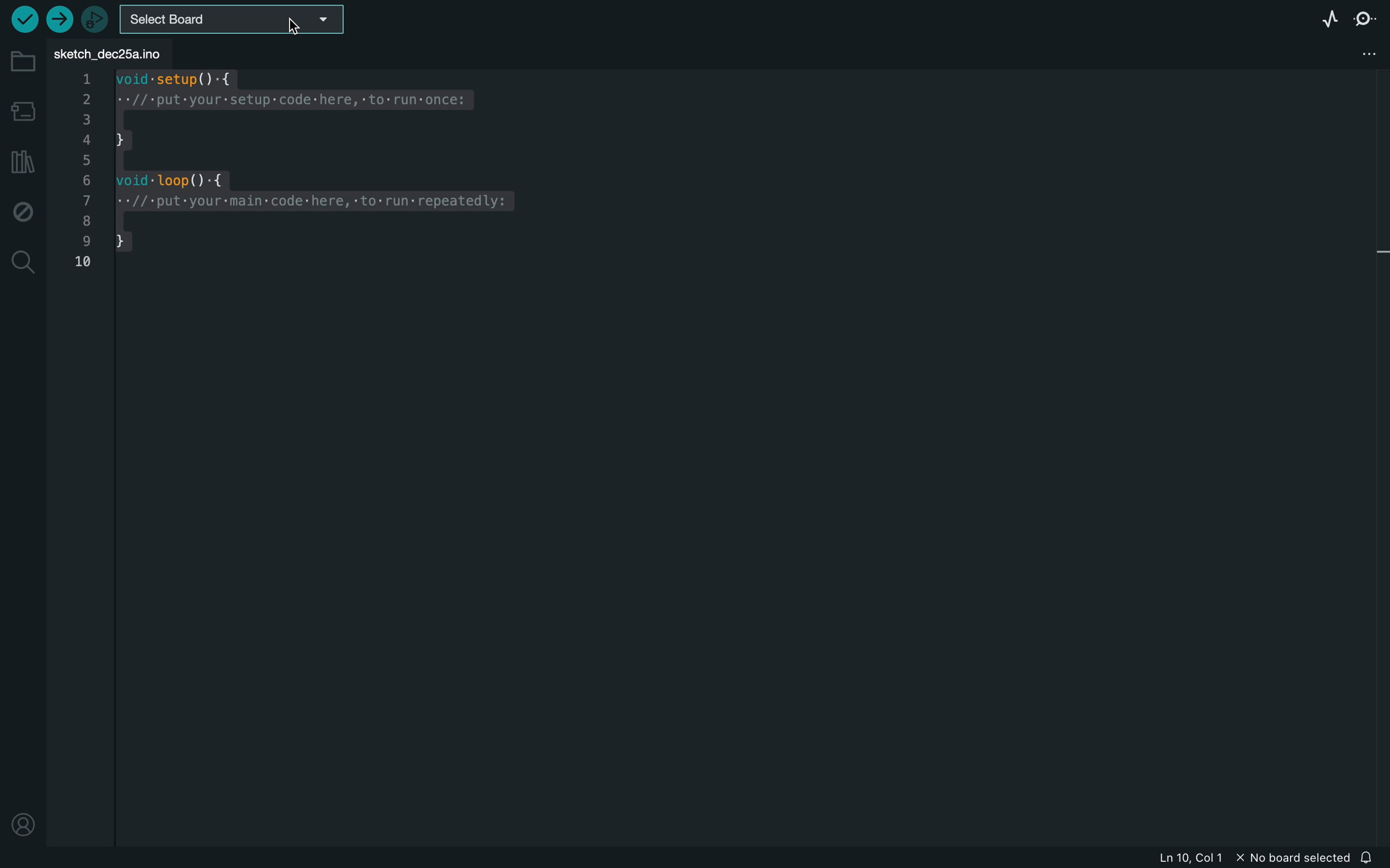  I want to click on debug, so click(23, 209).